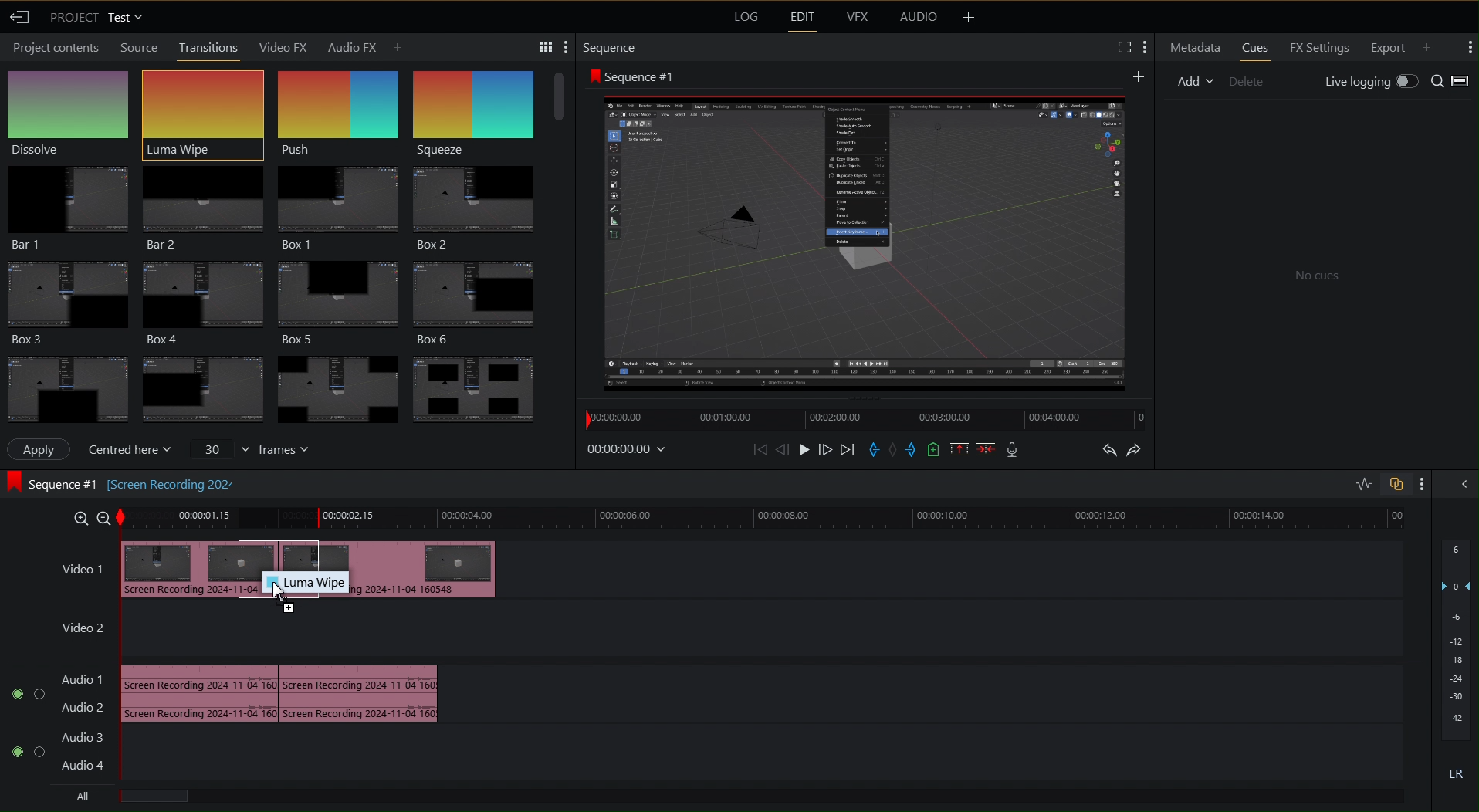 The height and width of the screenshot is (812, 1479). Describe the element at coordinates (276, 384) in the screenshot. I see `Transitions` at that location.